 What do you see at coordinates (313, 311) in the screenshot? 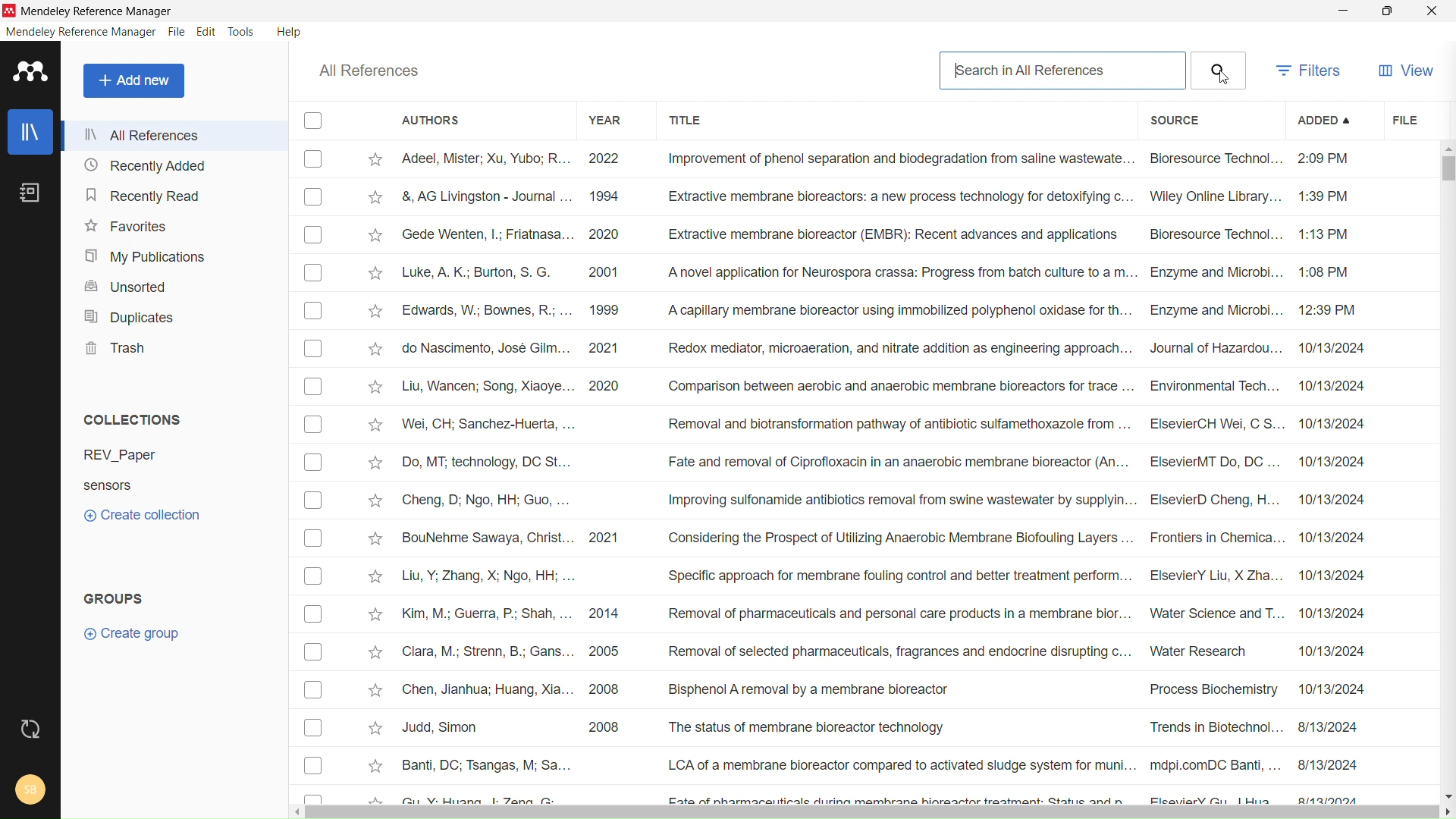
I see `Checkbox` at bounding box center [313, 311].